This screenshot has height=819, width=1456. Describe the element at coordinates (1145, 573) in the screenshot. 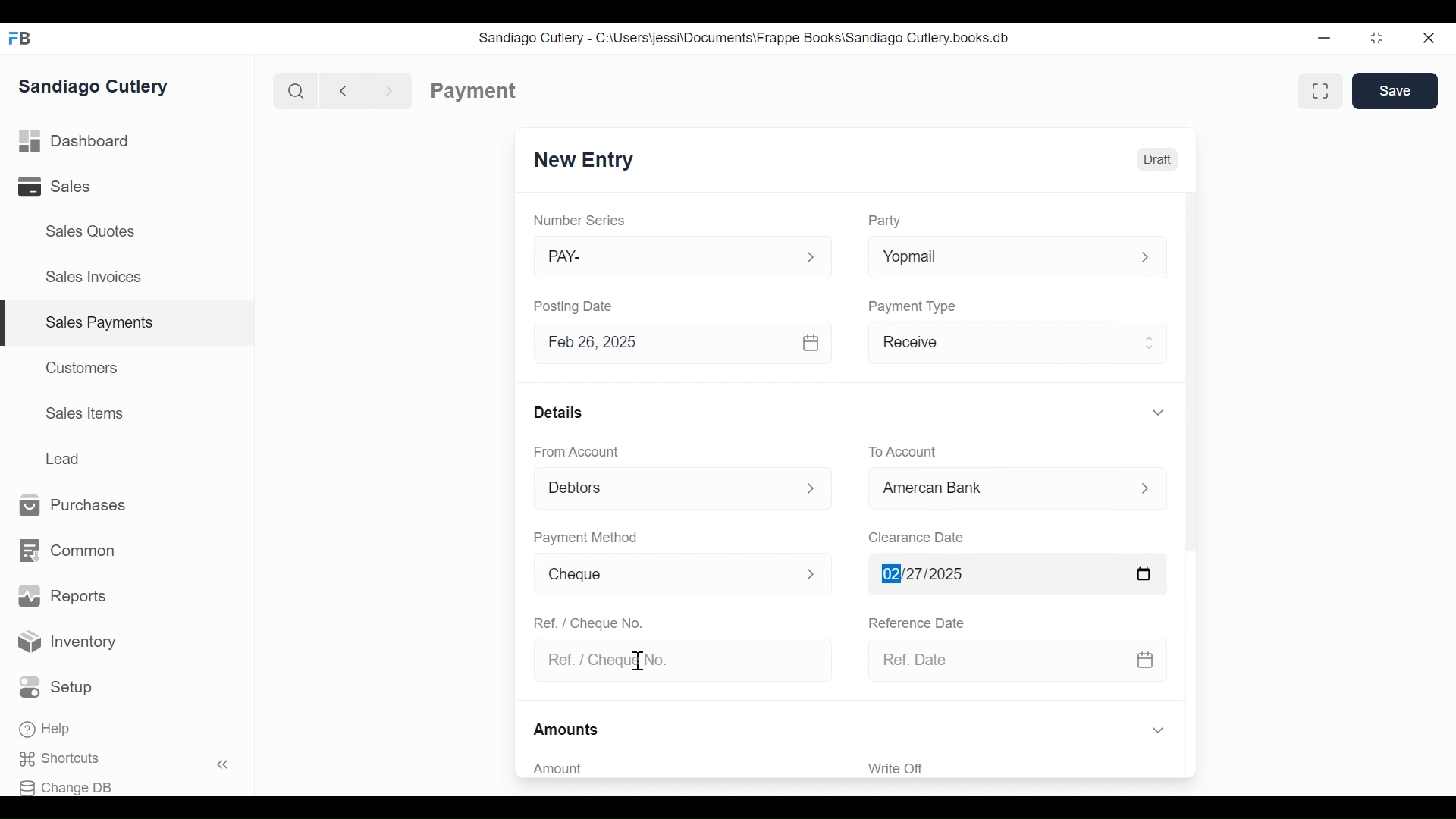

I see `Calendar` at that location.